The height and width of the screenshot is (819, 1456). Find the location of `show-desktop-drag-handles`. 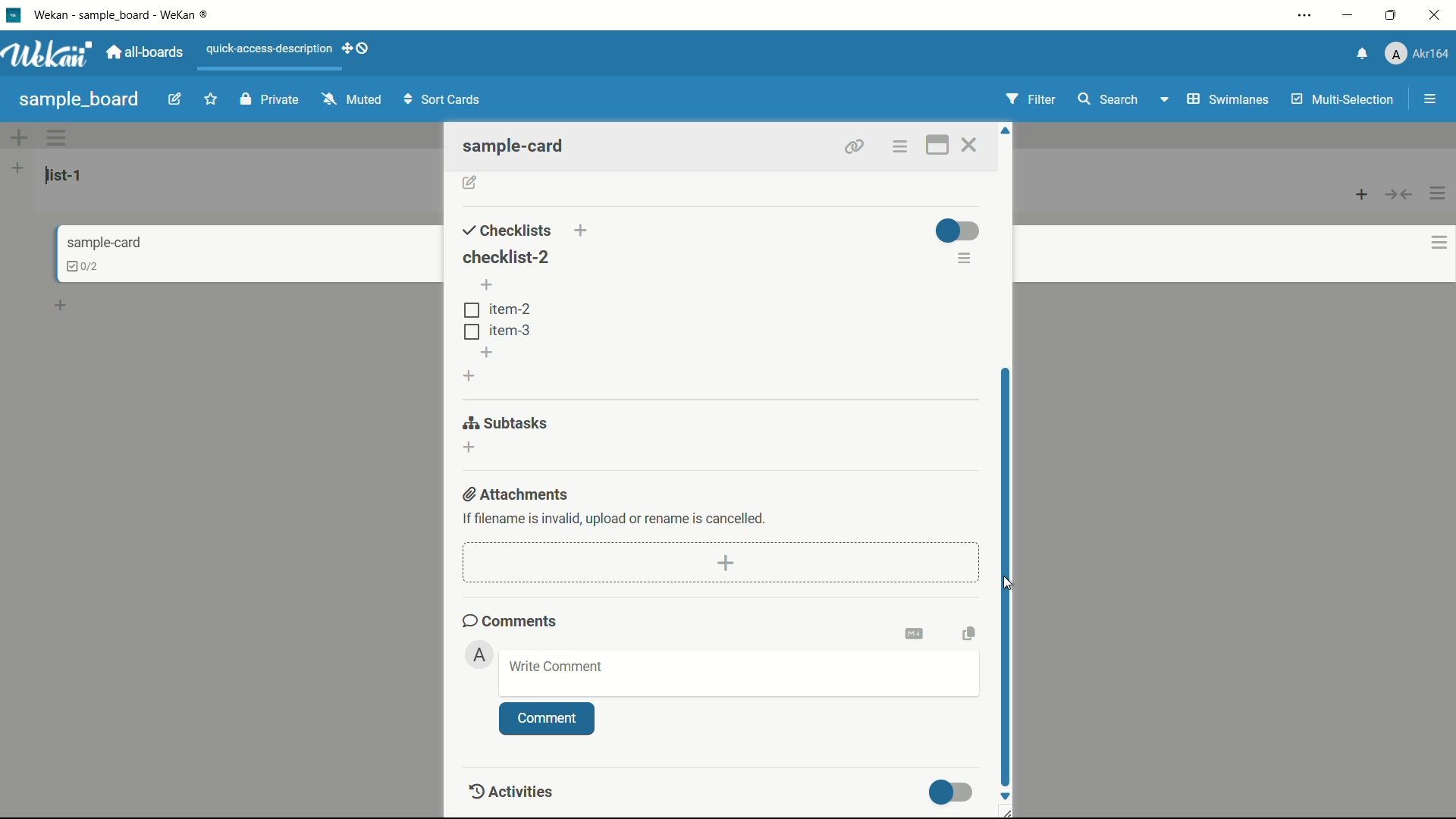

show-desktop-drag-handles is located at coordinates (357, 50).